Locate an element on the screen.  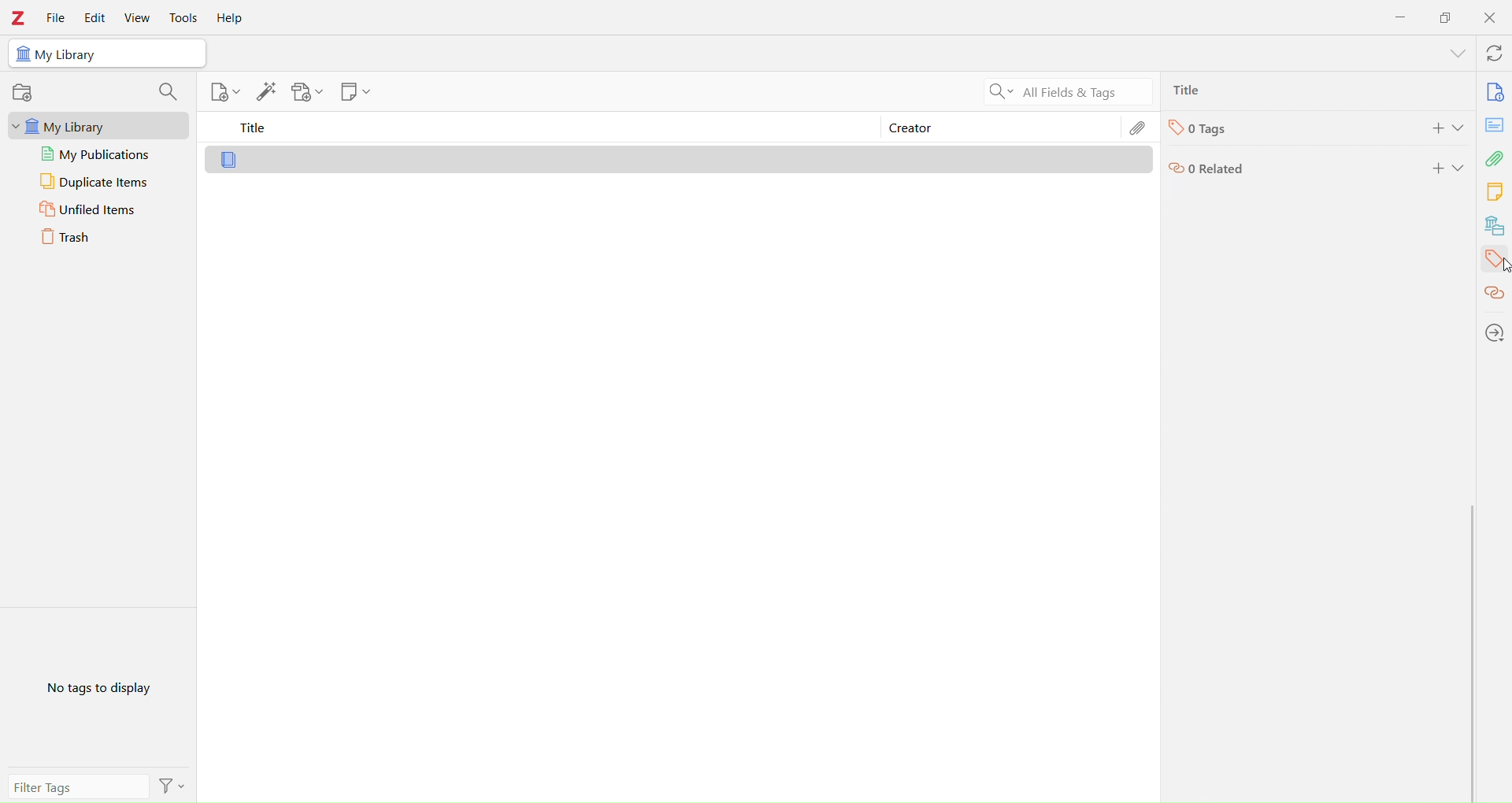
My publications is located at coordinates (96, 154).